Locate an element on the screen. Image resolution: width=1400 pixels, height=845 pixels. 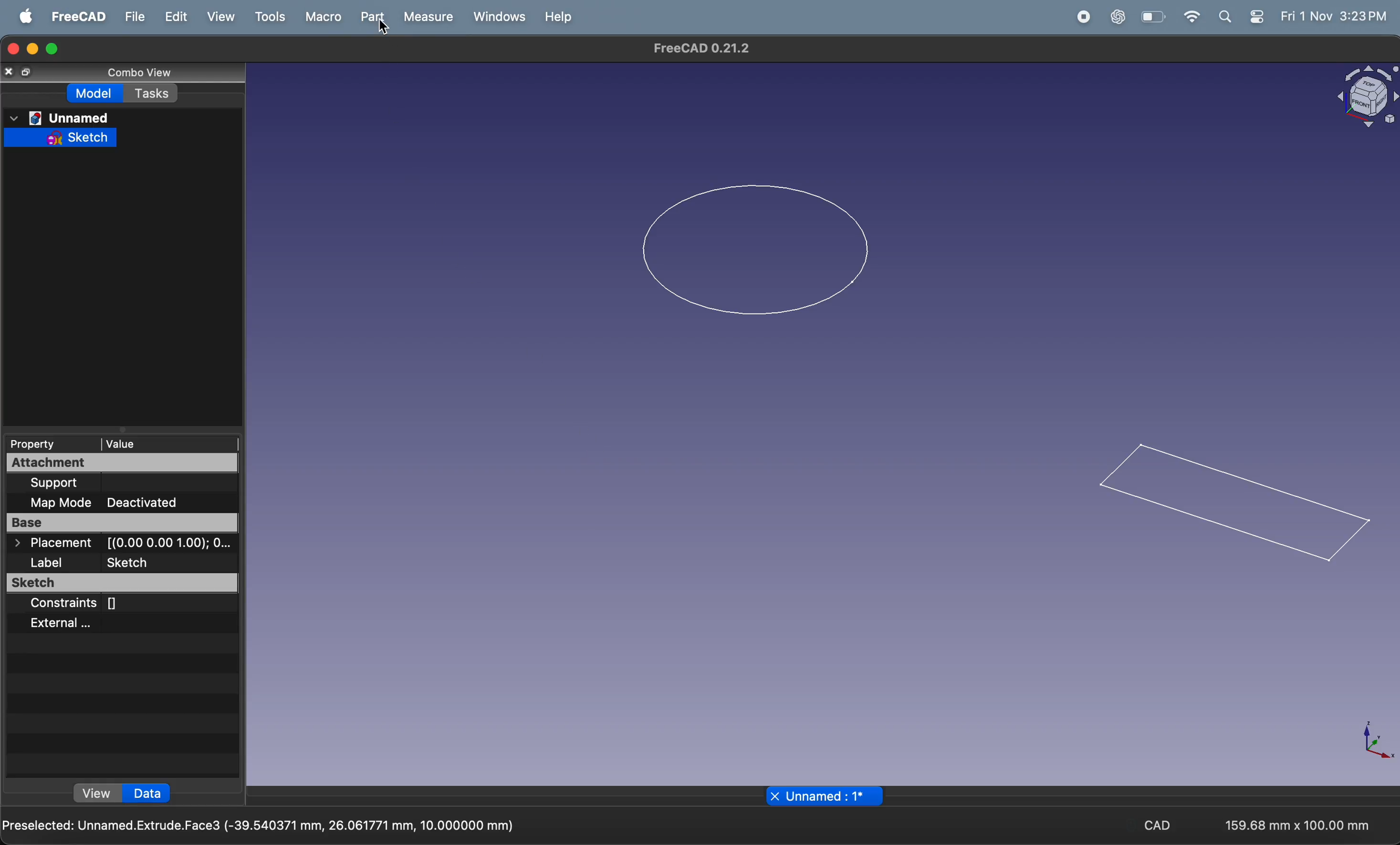
battery is located at coordinates (1152, 18).